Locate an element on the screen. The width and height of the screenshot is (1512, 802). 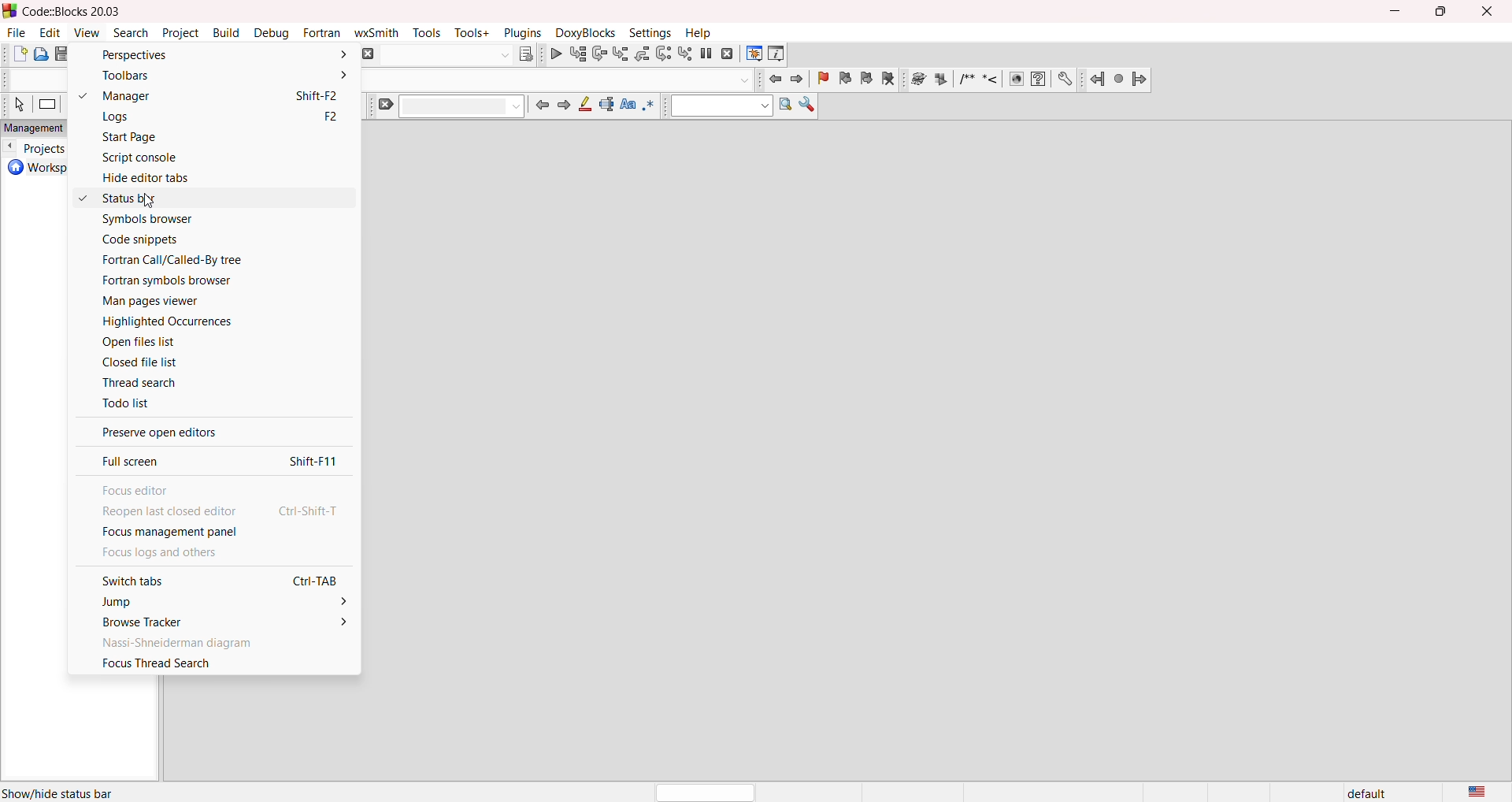
Forward jump is located at coordinates (1140, 81).